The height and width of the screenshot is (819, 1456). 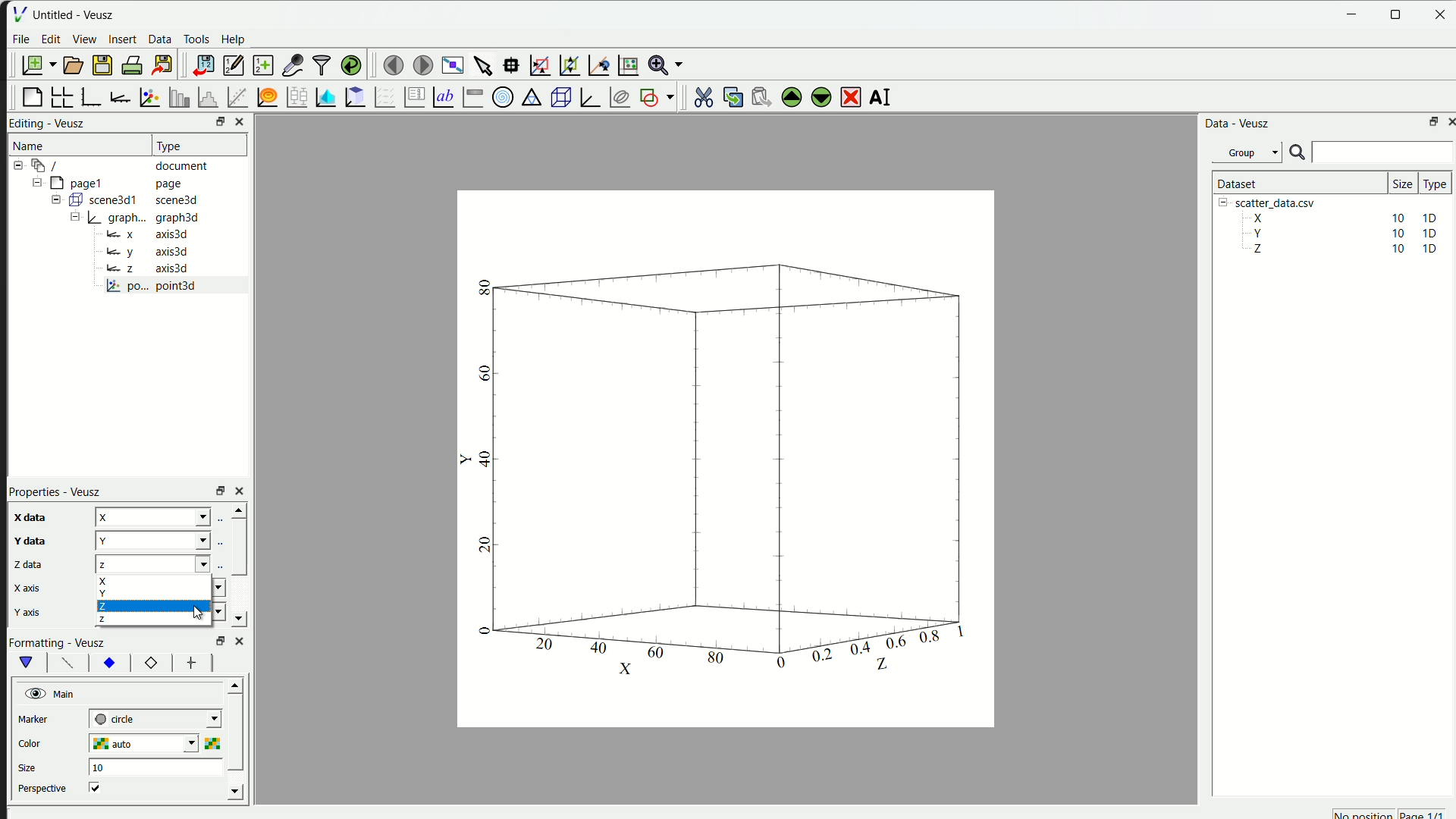 I want to click on draw rectangle to zoom axes, so click(x=540, y=63).